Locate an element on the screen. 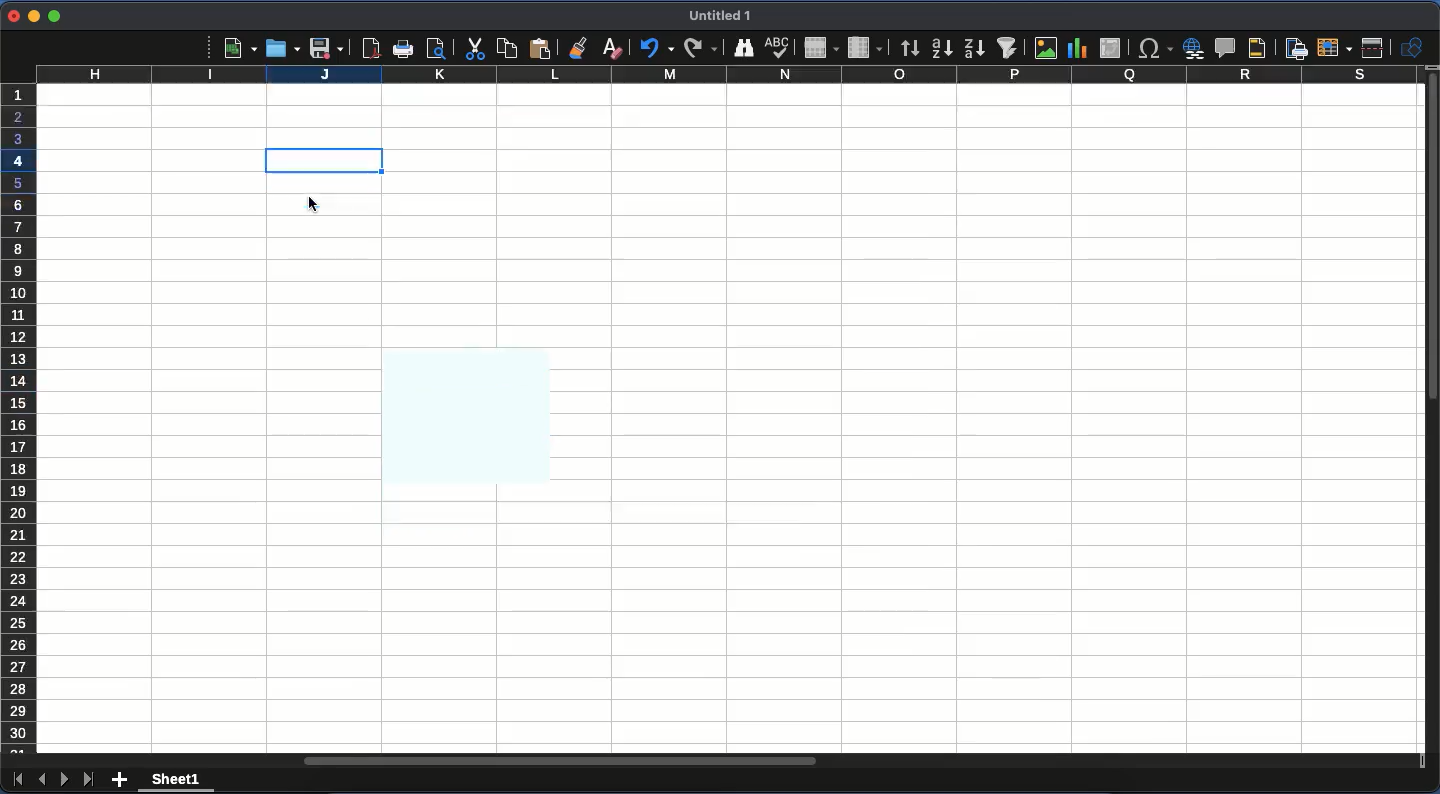 This screenshot has width=1440, height=794. show draw function is located at coordinates (1412, 48).